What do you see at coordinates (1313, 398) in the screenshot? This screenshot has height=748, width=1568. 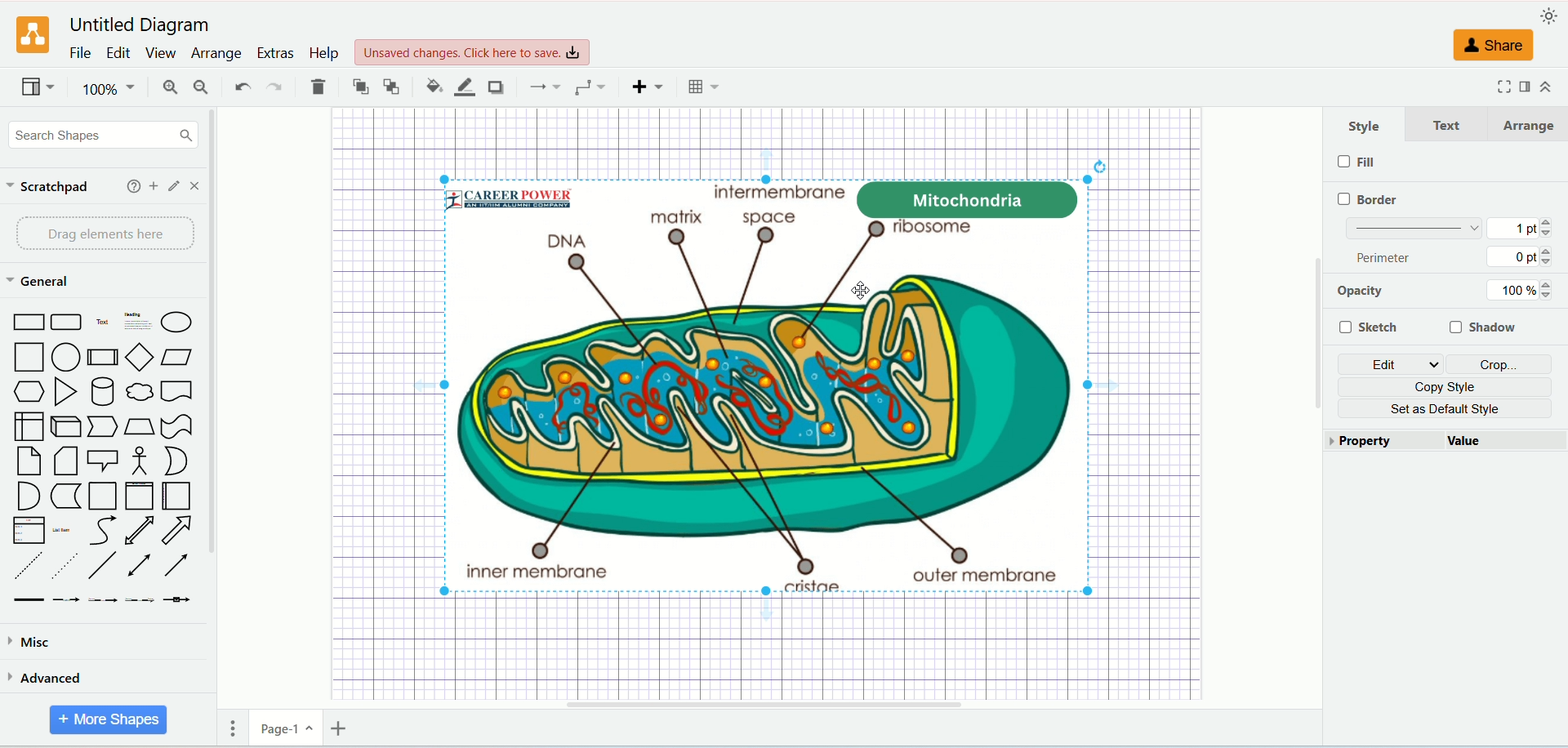 I see `Vertical Scroll Bar` at bounding box center [1313, 398].